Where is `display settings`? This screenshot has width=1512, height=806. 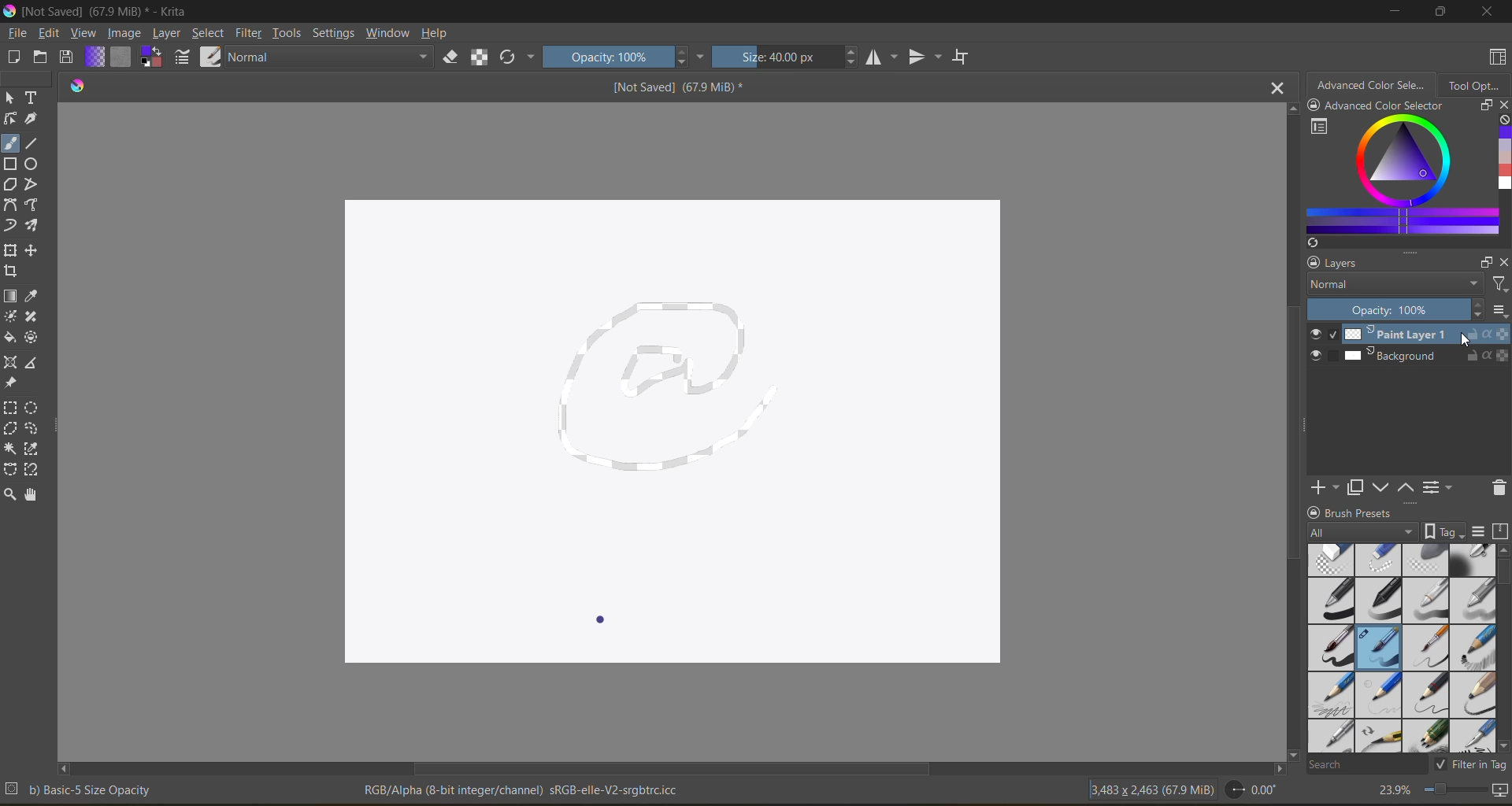 display settings is located at coordinates (1478, 531).